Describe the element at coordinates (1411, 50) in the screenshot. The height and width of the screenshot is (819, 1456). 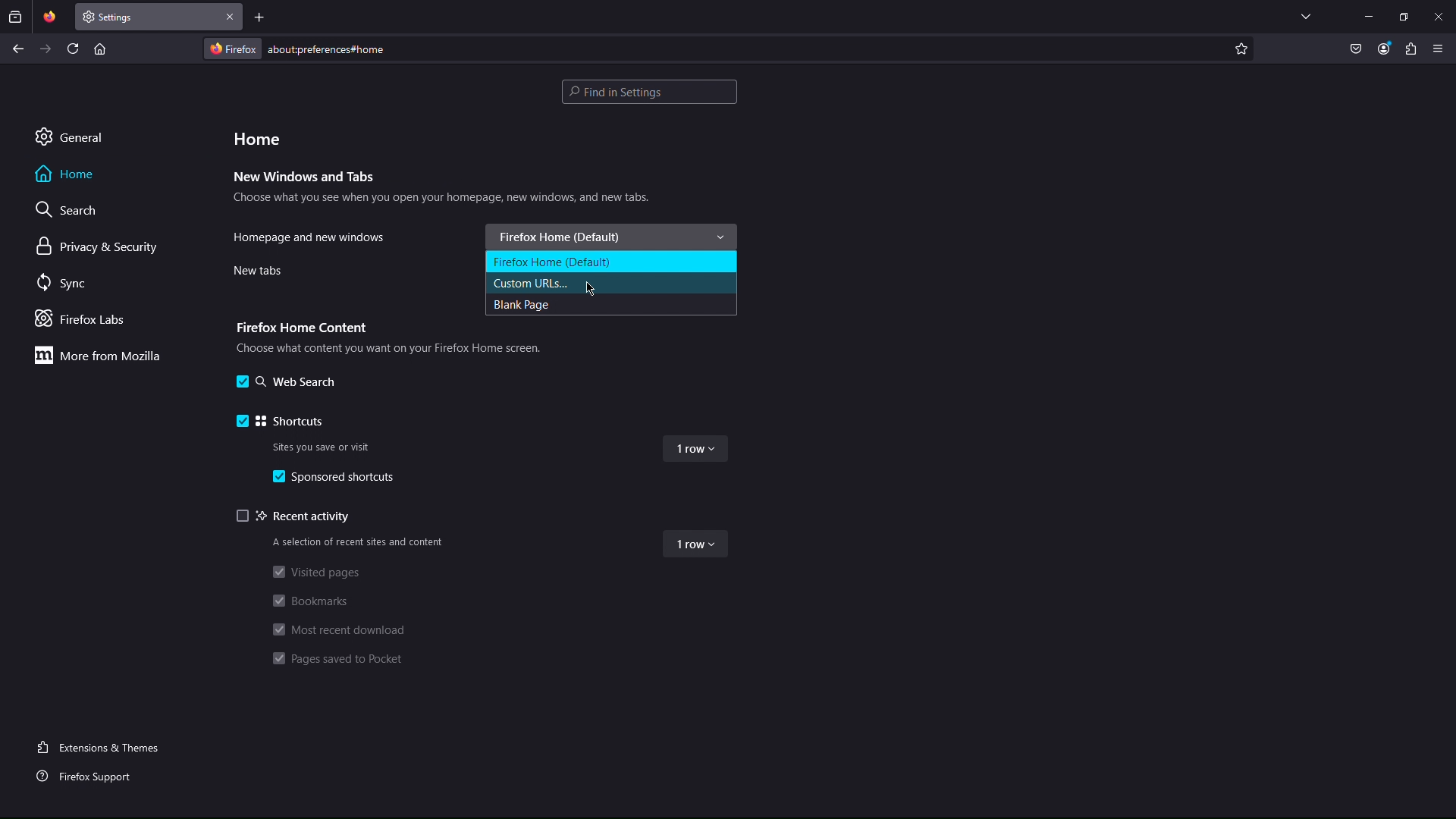
I see `Plugin` at that location.